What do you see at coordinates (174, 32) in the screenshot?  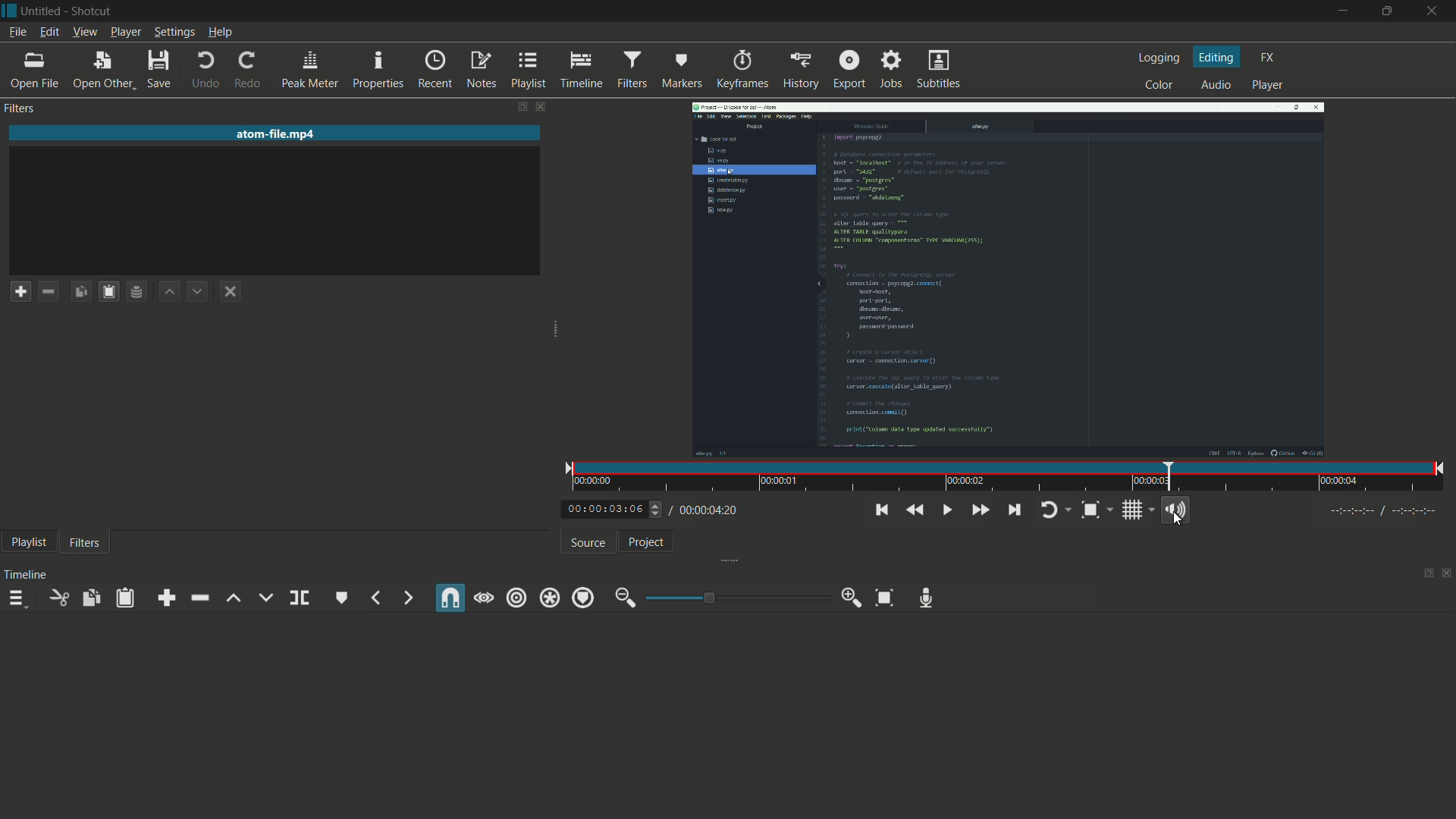 I see `settings menu` at bounding box center [174, 32].